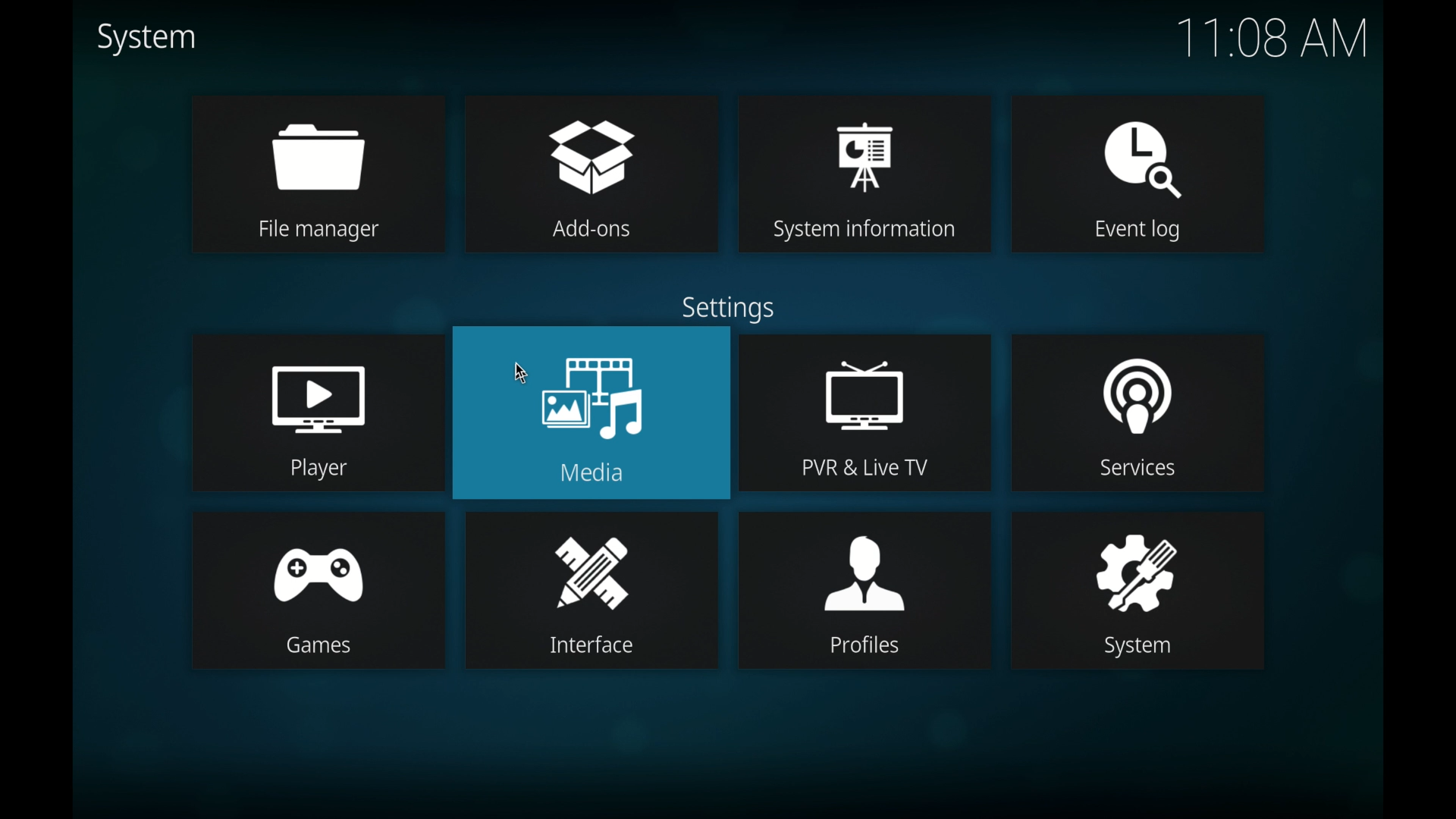 This screenshot has width=1456, height=819. I want to click on media, so click(591, 414).